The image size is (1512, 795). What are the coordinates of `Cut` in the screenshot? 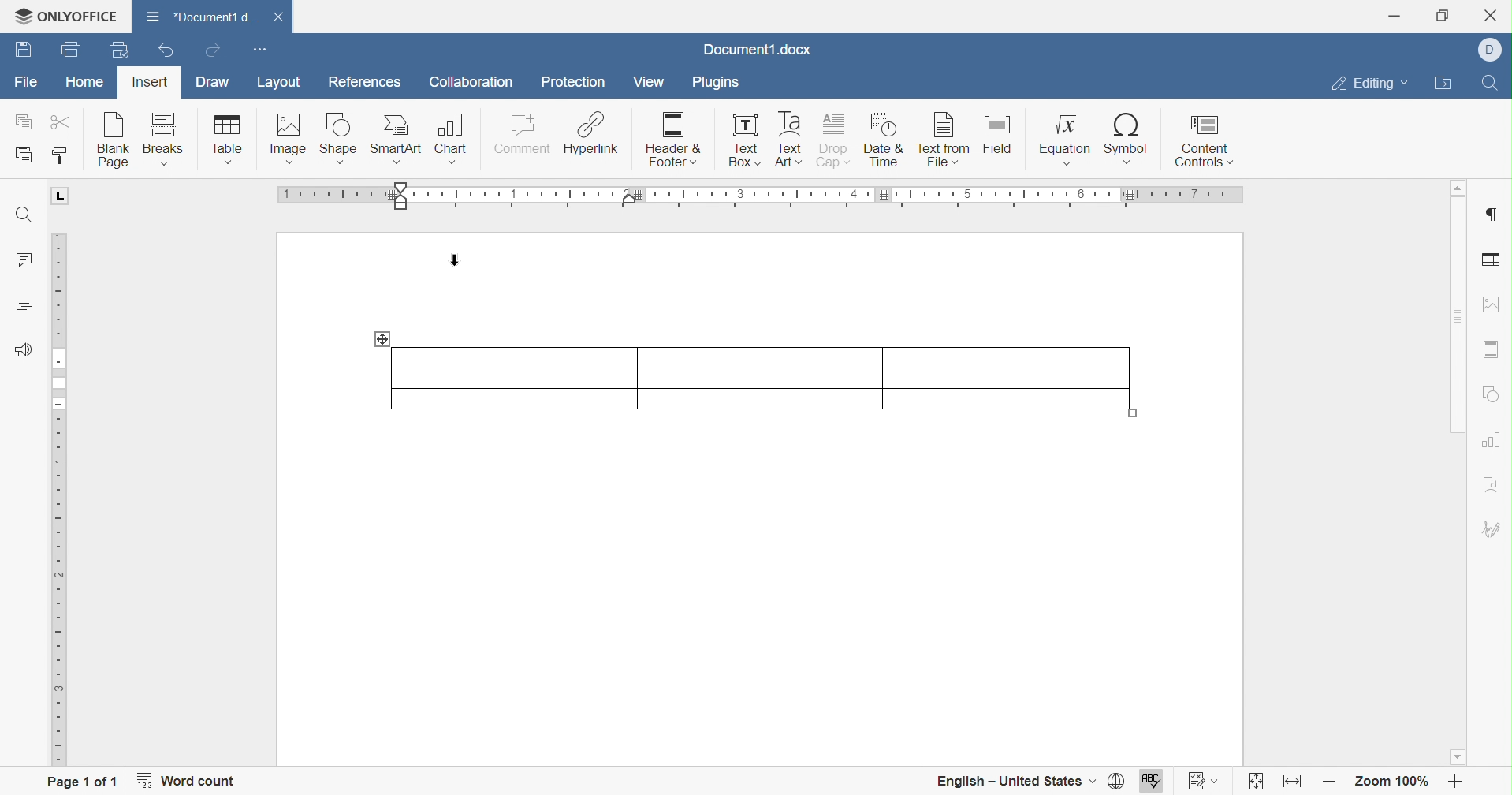 It's located at (62, 121).